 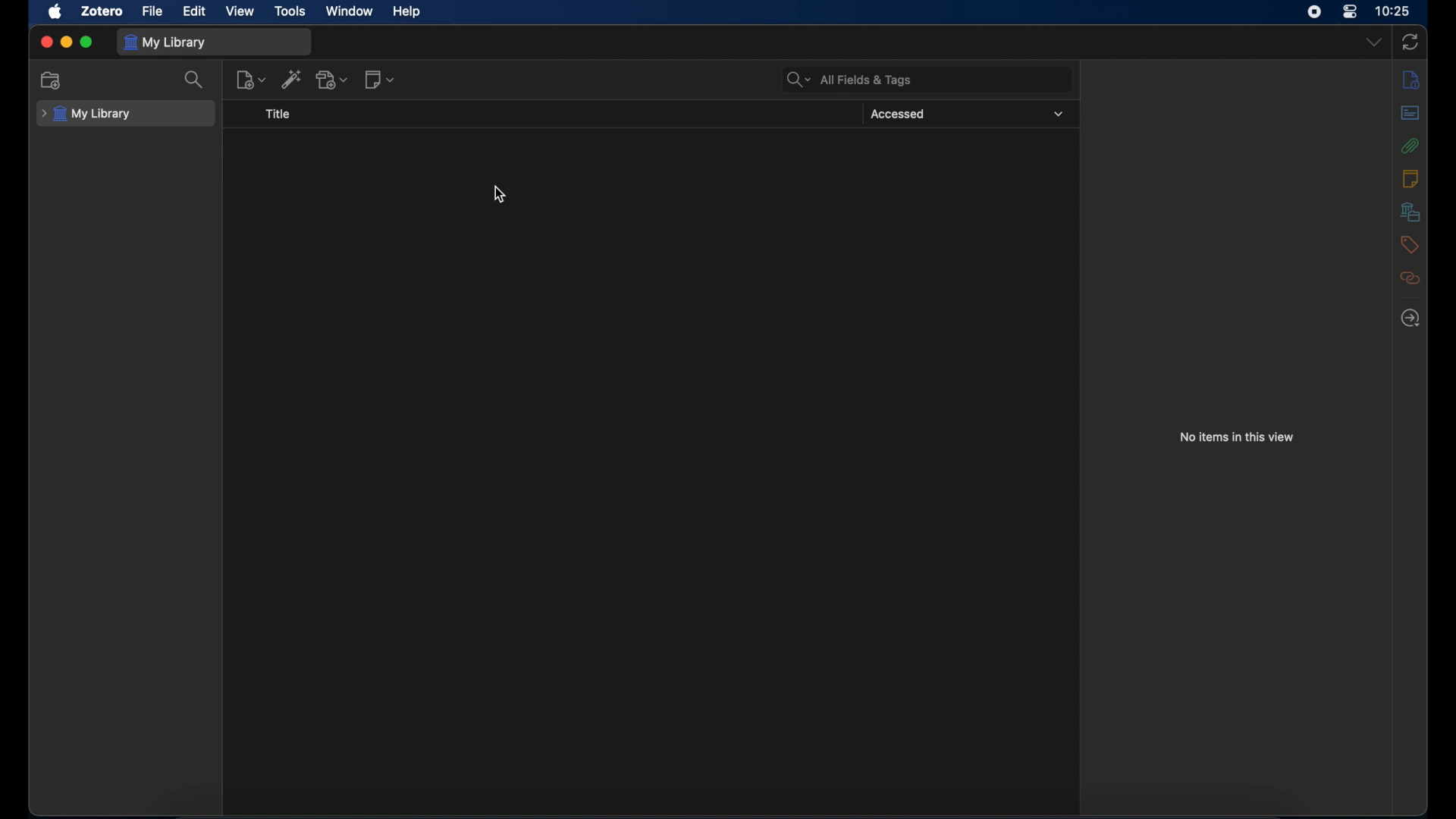 What do you see at coordinates (165, 42) in the screenshot?
I see `my library` at bounding box center [165, 42].